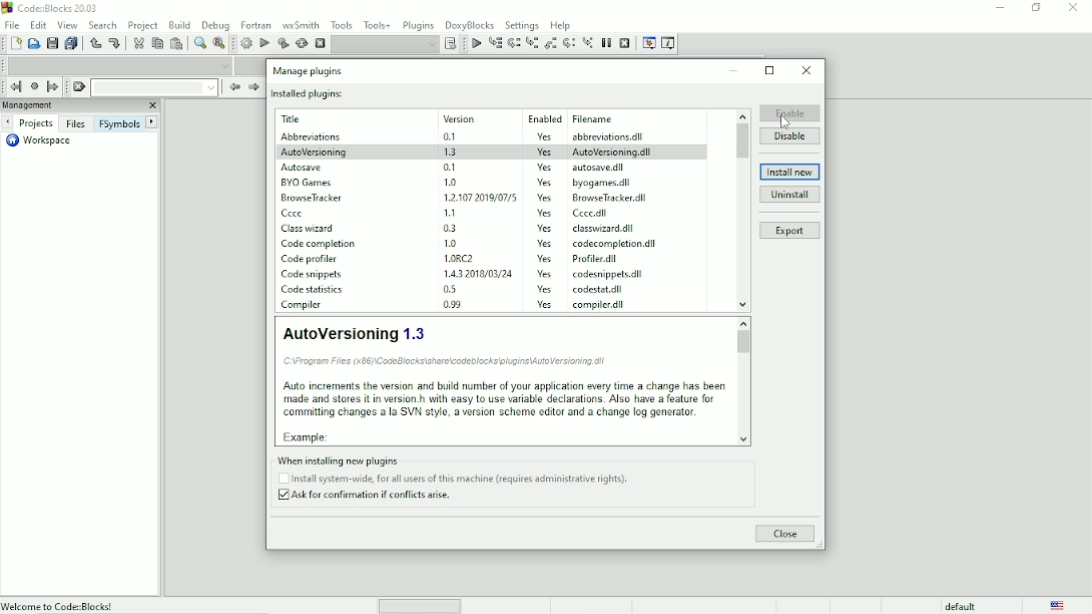  Describe the element at coordinates (311, 257) in the screenshot. I see `plugin` at that location.